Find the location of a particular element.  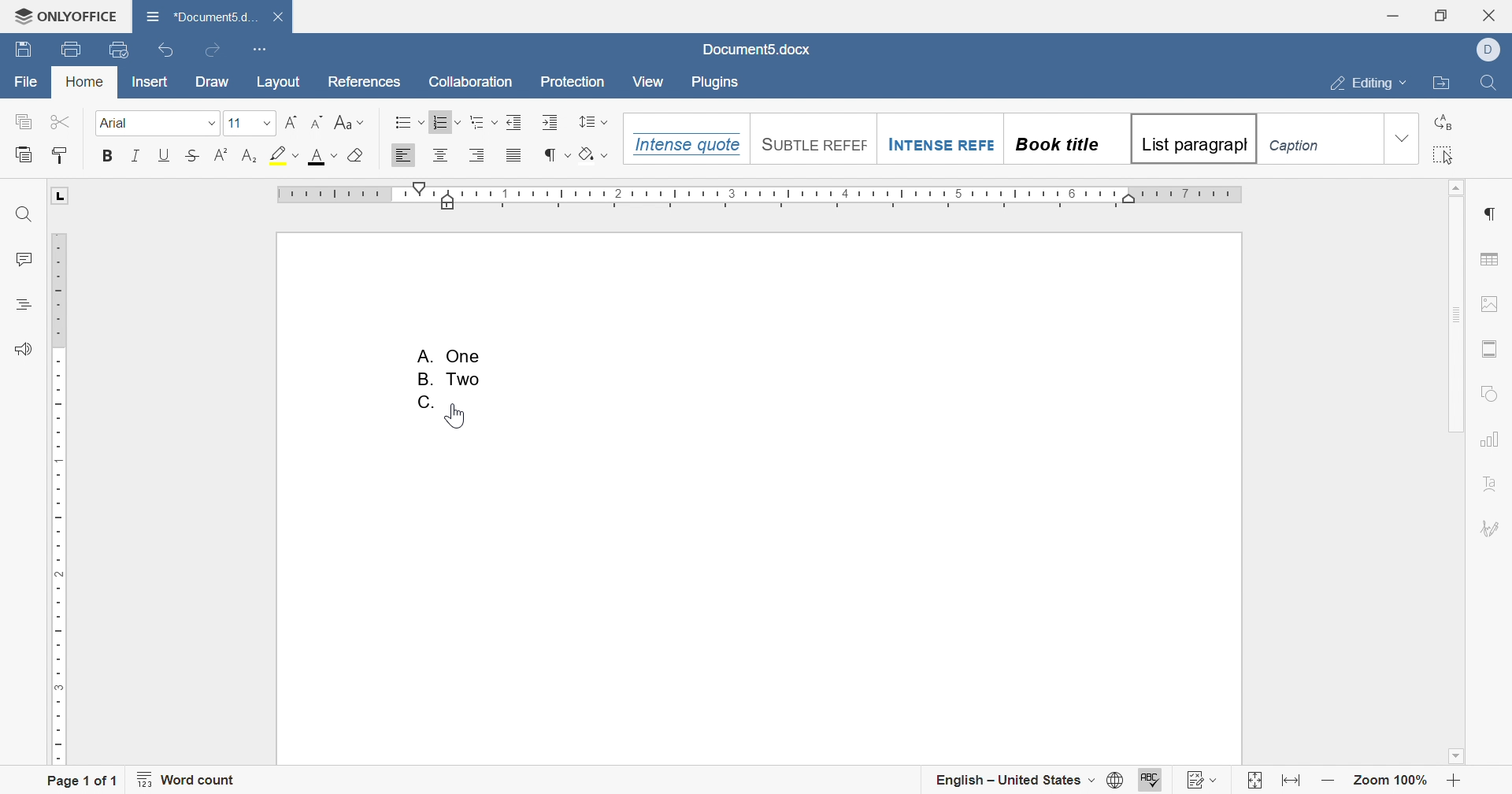

drop down is located at coordinates (269, 122).